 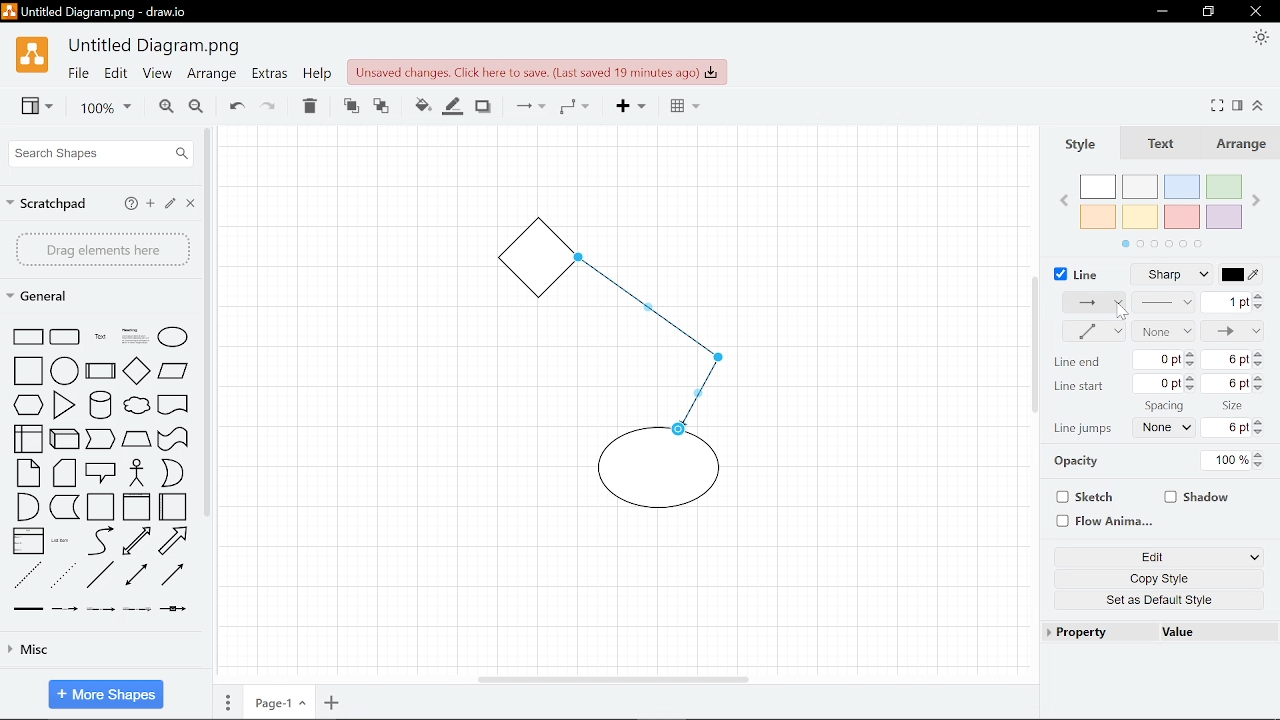 I want to click on shape, so click(x=103, y=472).